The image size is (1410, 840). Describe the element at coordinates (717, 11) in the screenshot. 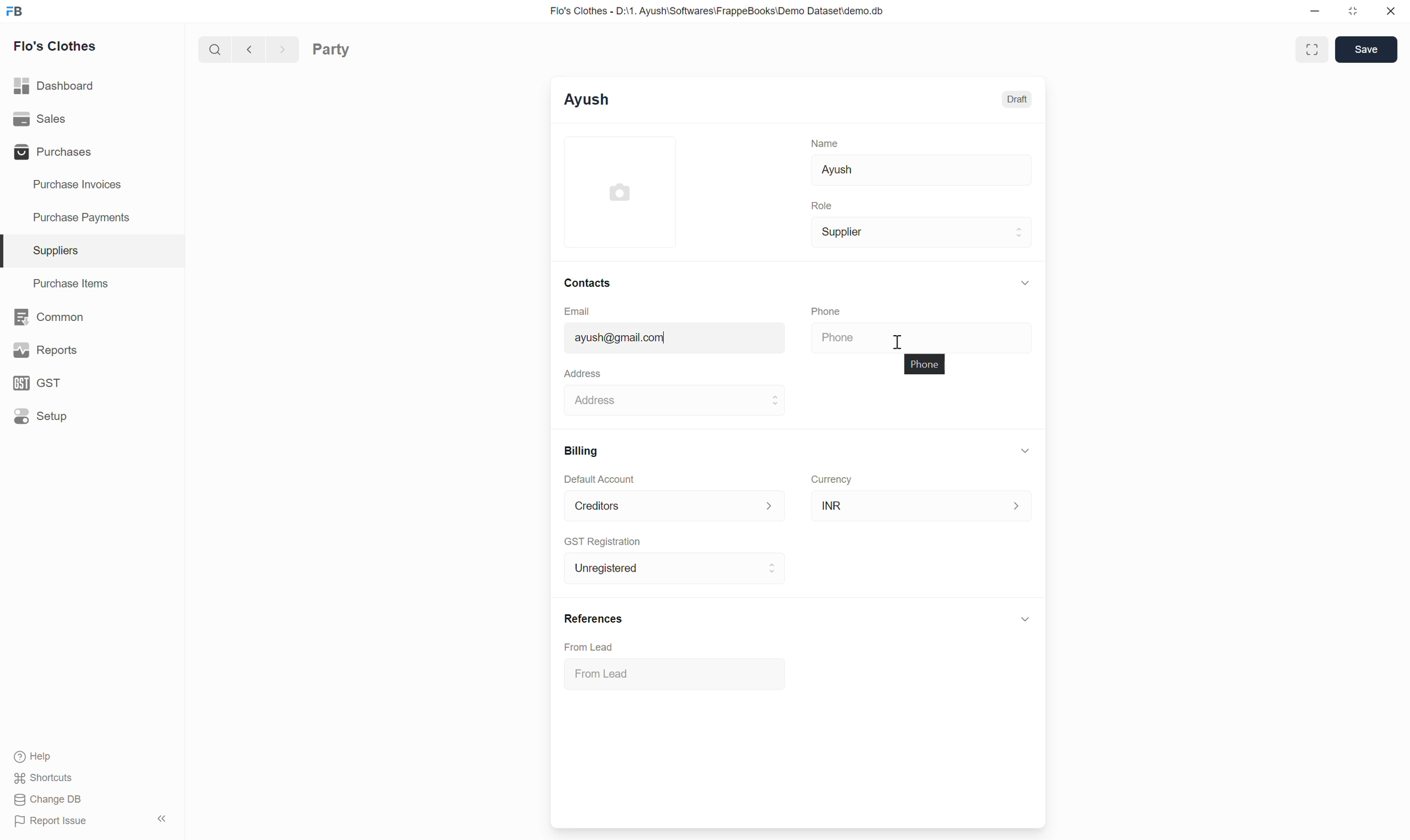

I see `Flo's Clothes - D:\1. Ayush\Softwares\FrappeBooks\Demo Dataset\demo.db` at that location.